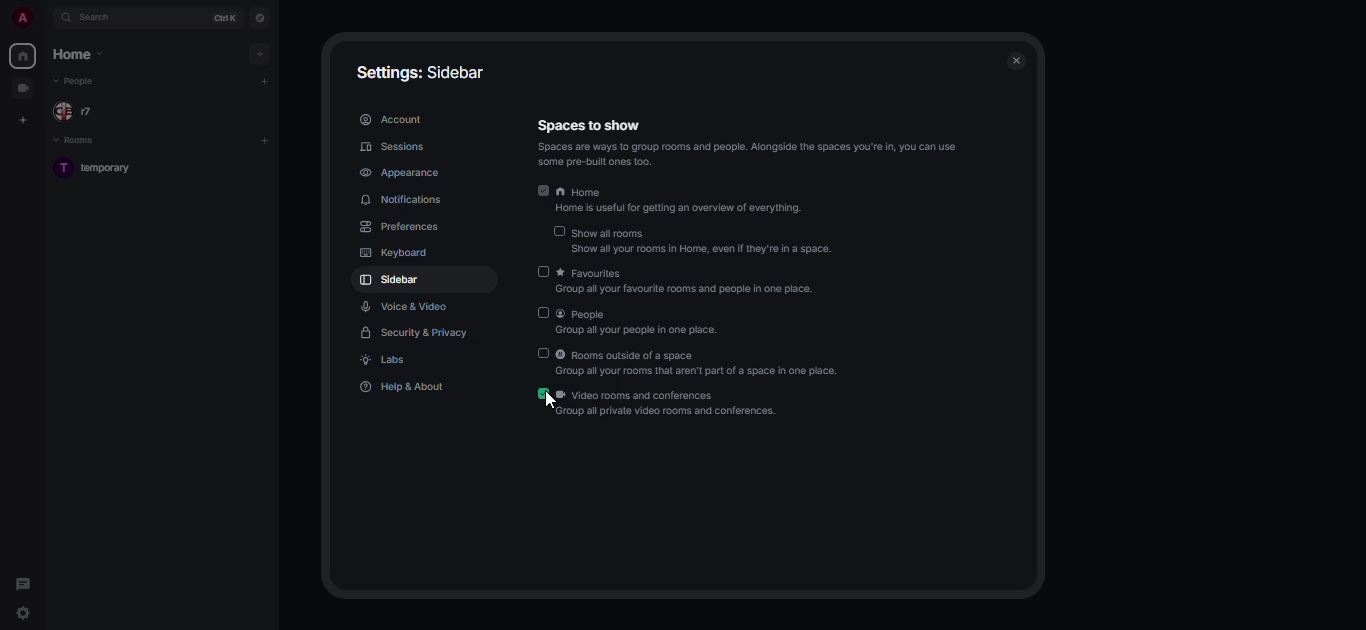 The width and height of the screenshot is (1366, 630). Describe the element at coordinates (260, 55) in the screenshot. I see `add` at that location.